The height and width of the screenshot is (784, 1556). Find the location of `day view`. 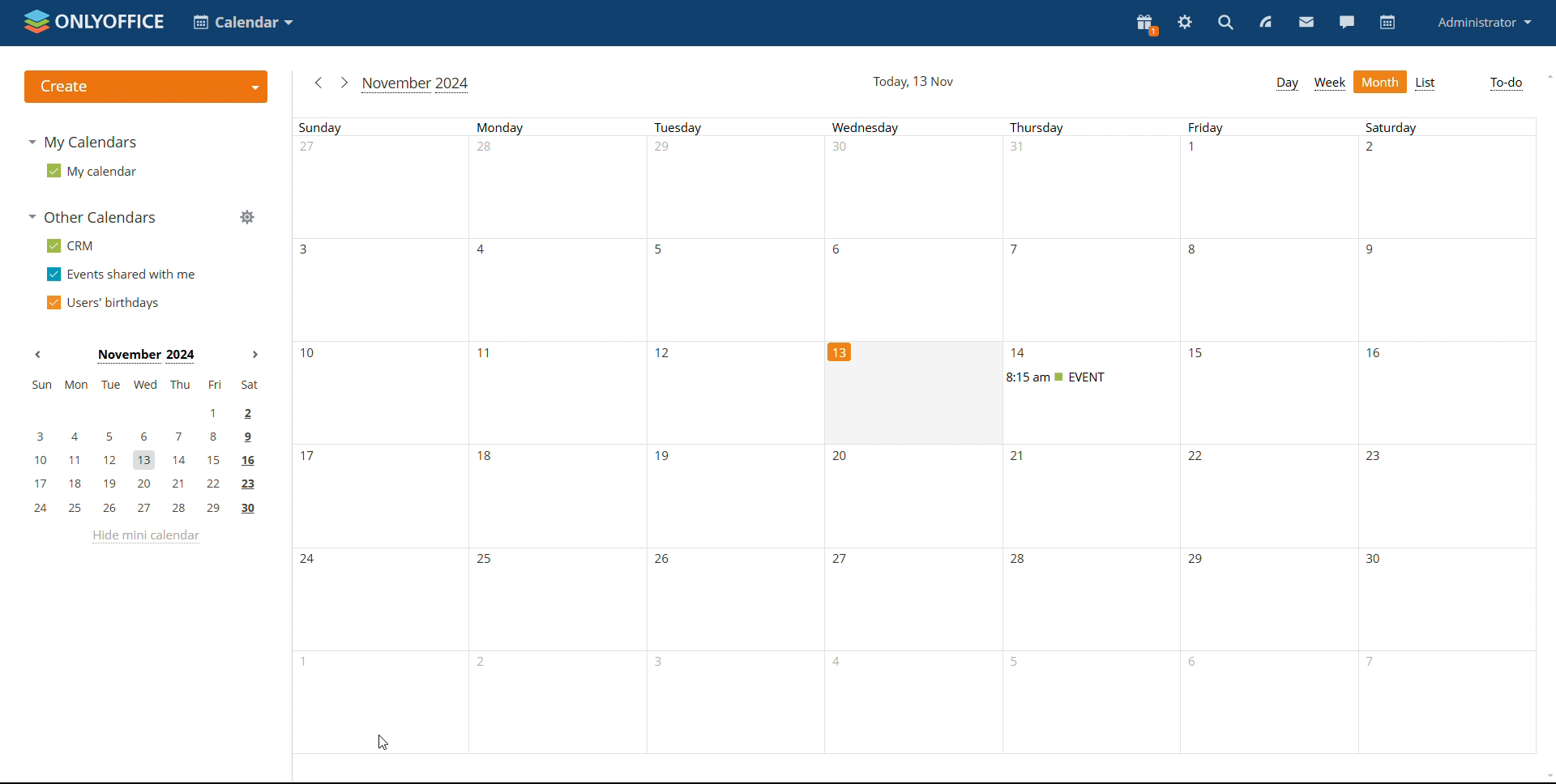

day view is located at coordinates (1289, 84).